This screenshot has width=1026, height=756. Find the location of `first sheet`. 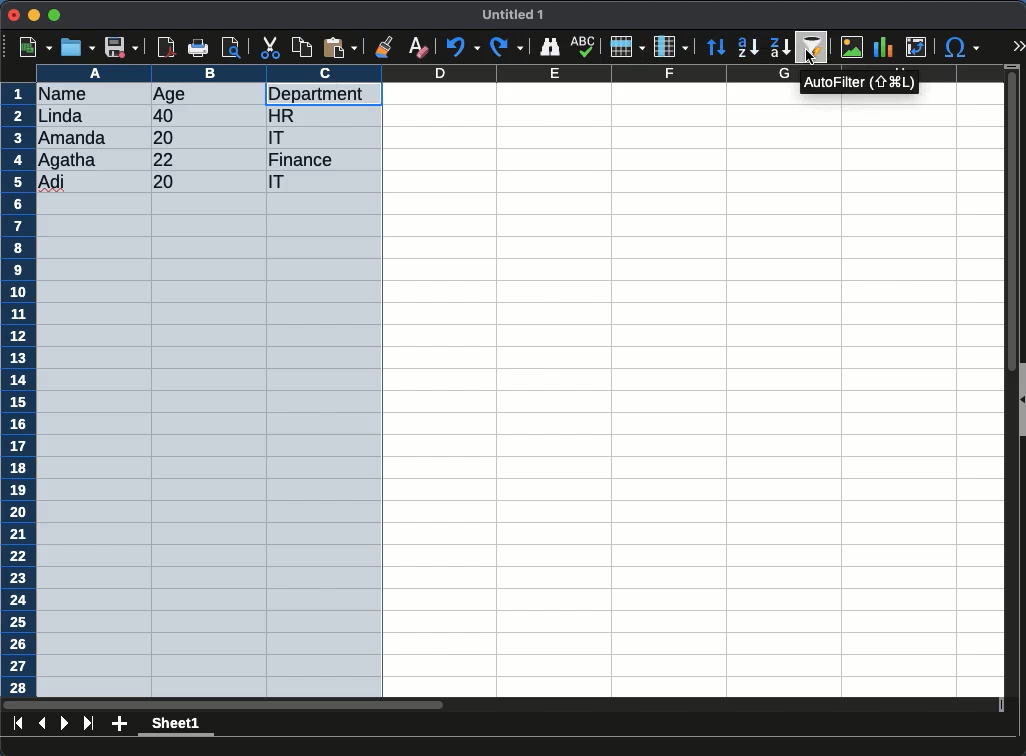

first sheet is located at coordinates (18, 723).